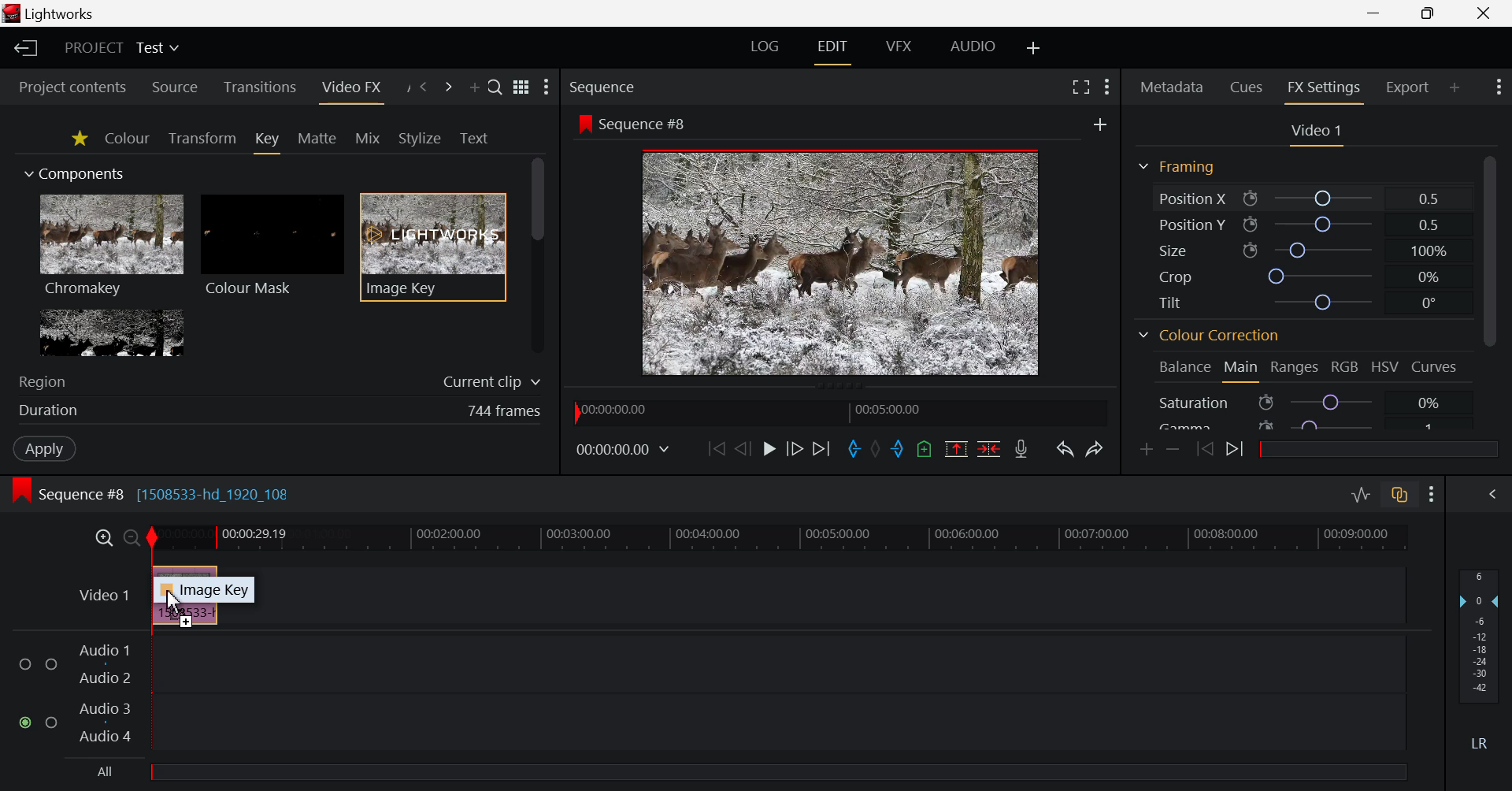  I want to click on toggle between list and title view, so click(521, 85).